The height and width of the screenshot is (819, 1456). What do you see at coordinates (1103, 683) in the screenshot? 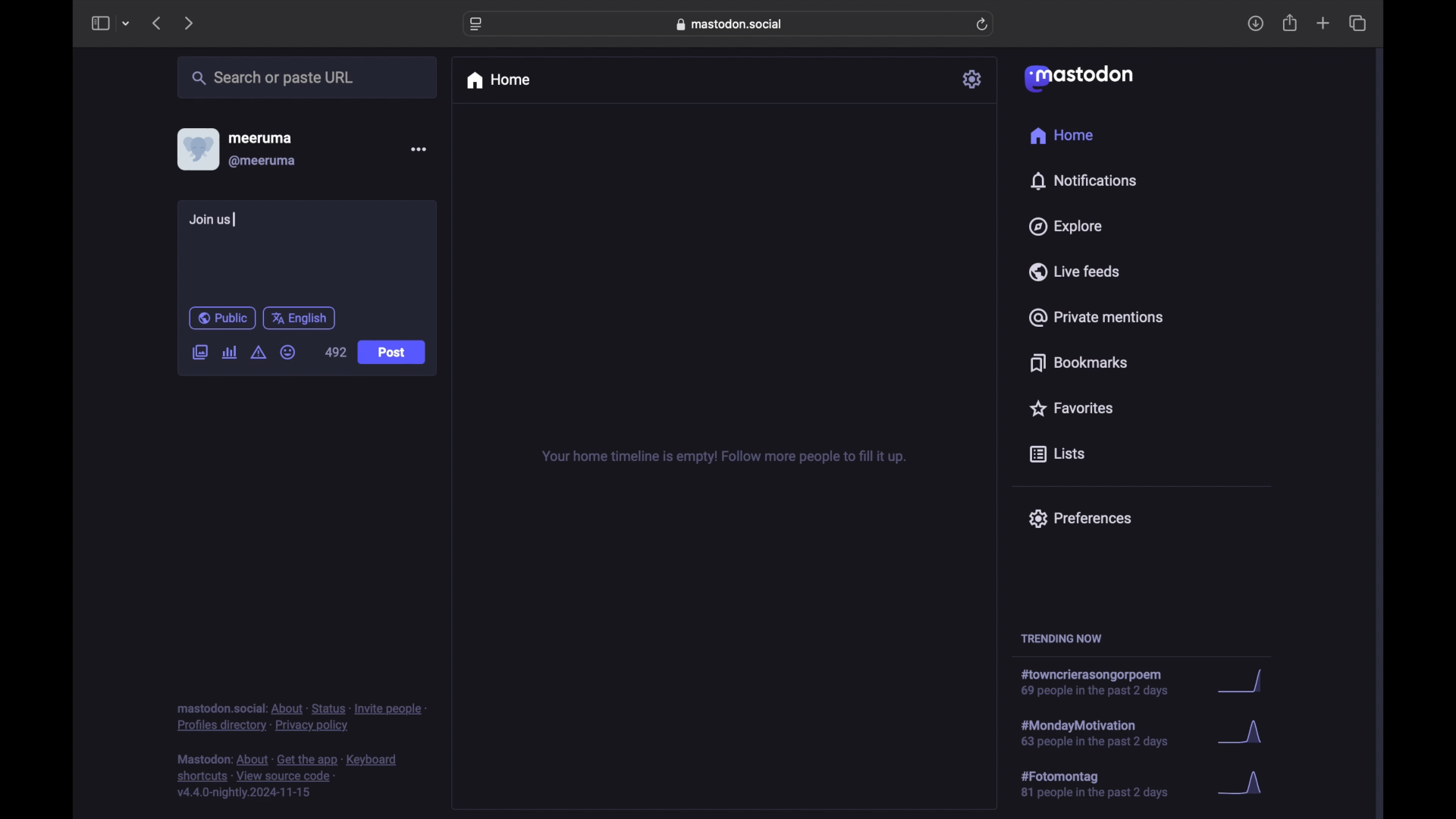
I see `hashtag trend` at bounding box center [1103, 683].